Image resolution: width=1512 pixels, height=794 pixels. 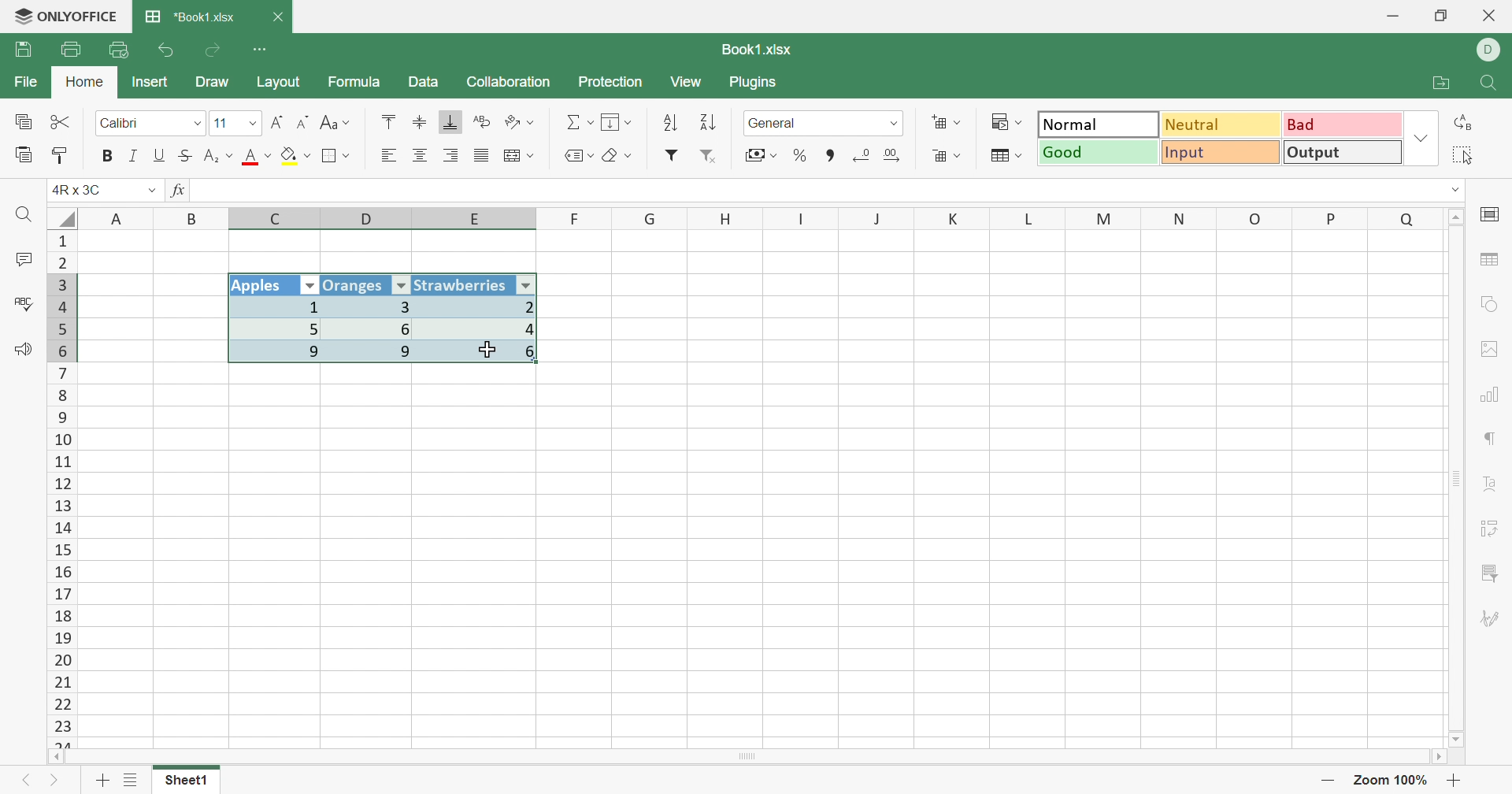 I want to click on Remove filter, so click(x=715, y=158).